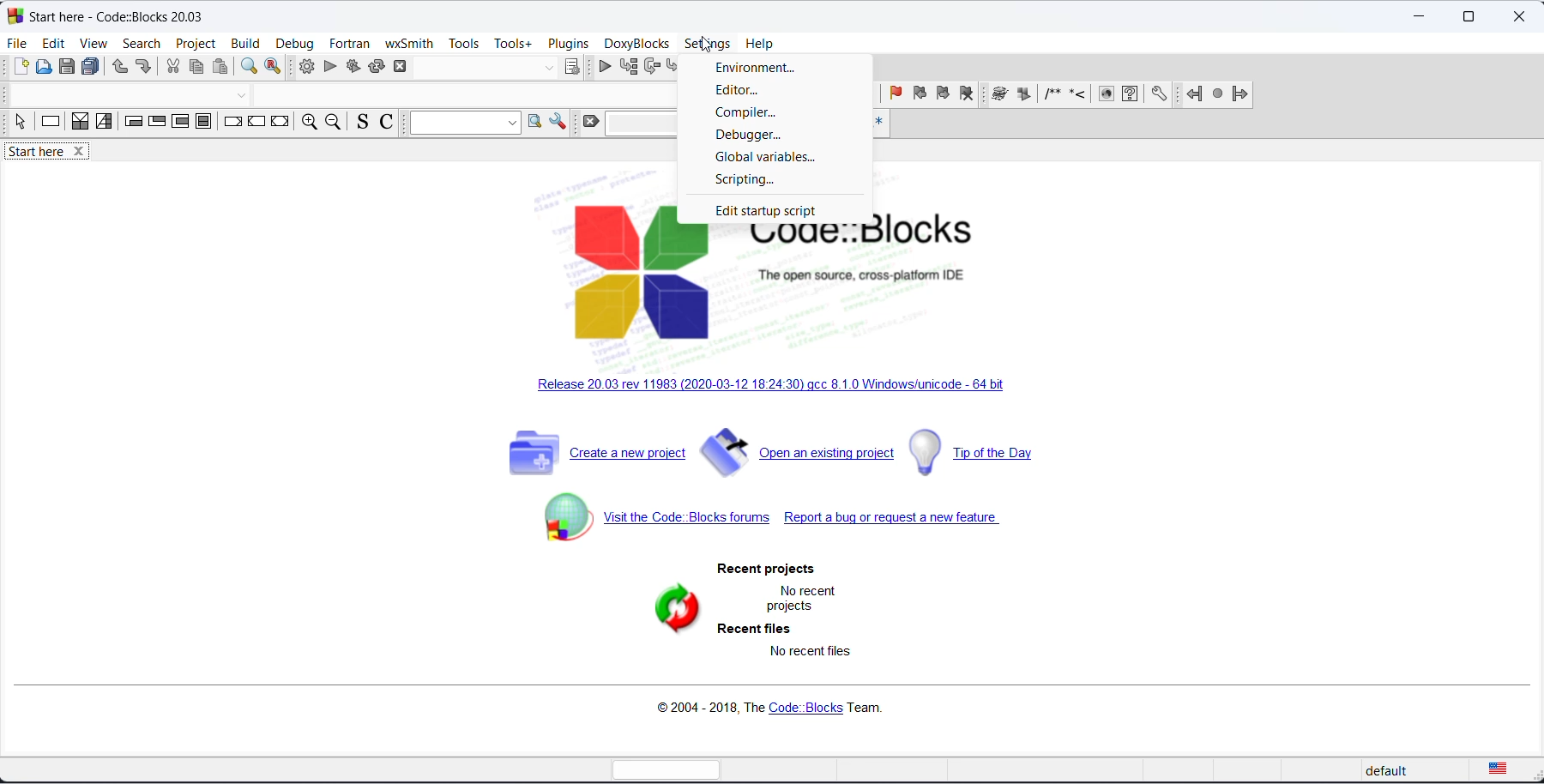  I want to click on last jump, so click(1218, 94).